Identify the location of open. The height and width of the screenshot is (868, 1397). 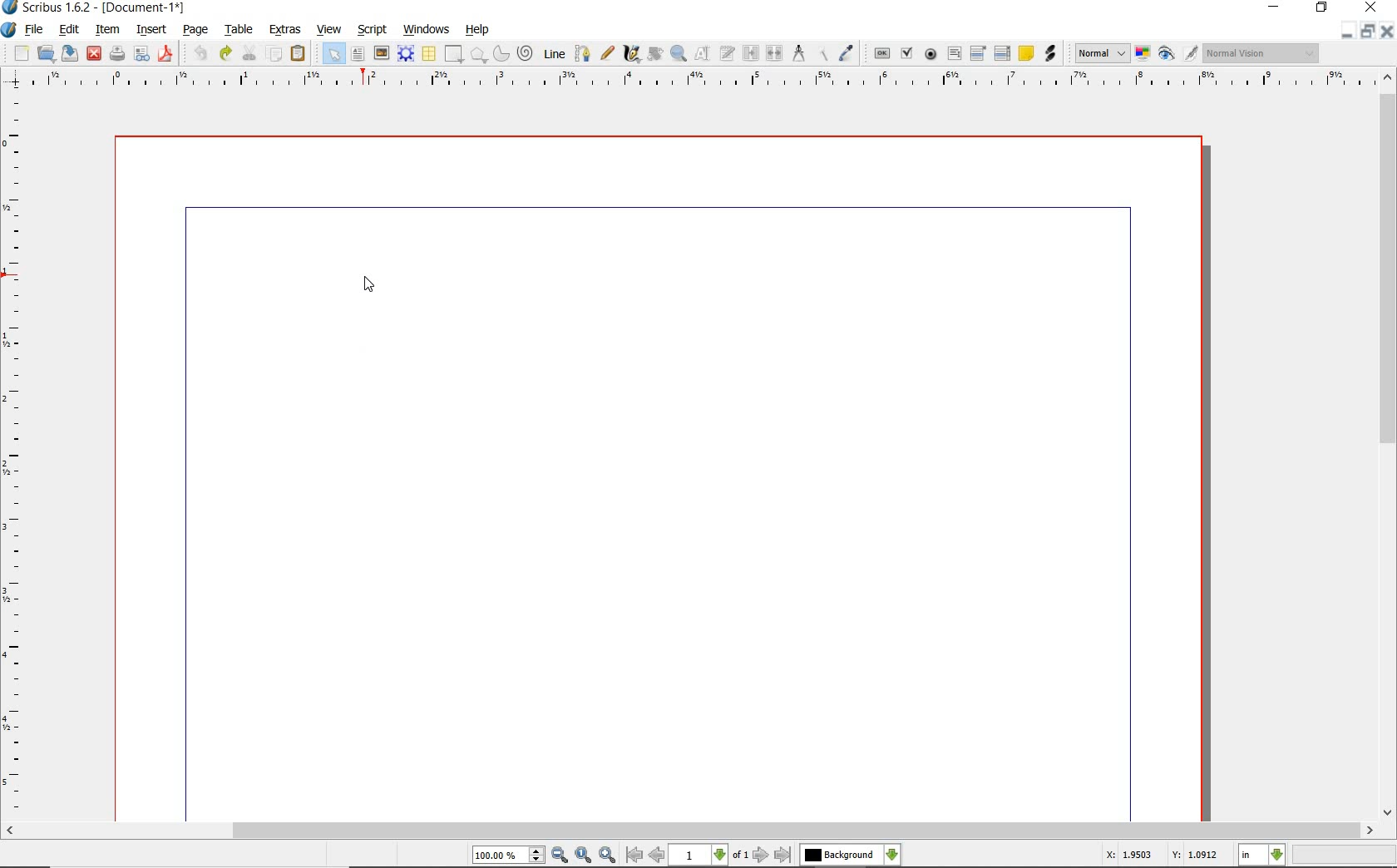
(47, 54).